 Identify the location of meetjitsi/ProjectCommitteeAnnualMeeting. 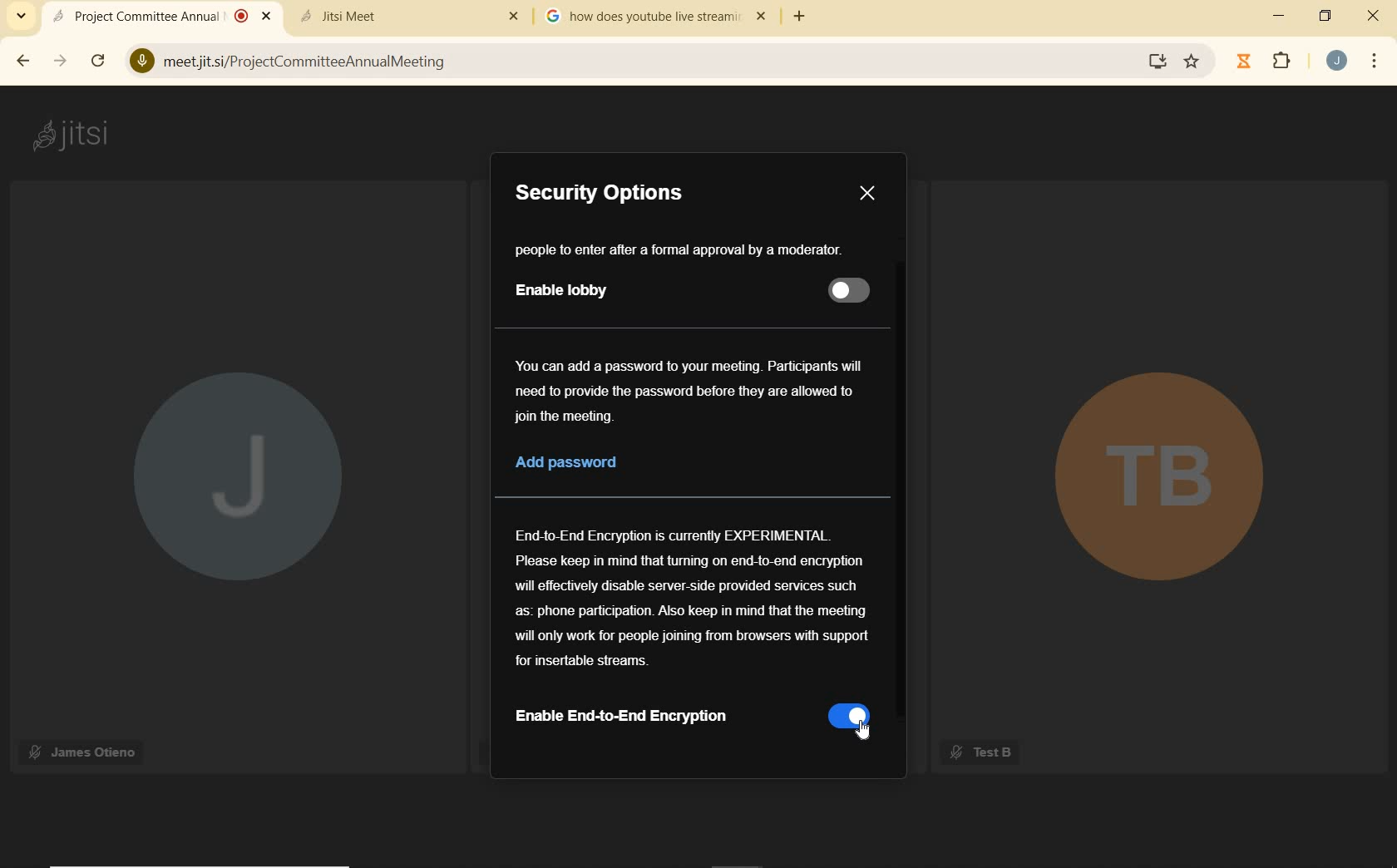
(635, 63).